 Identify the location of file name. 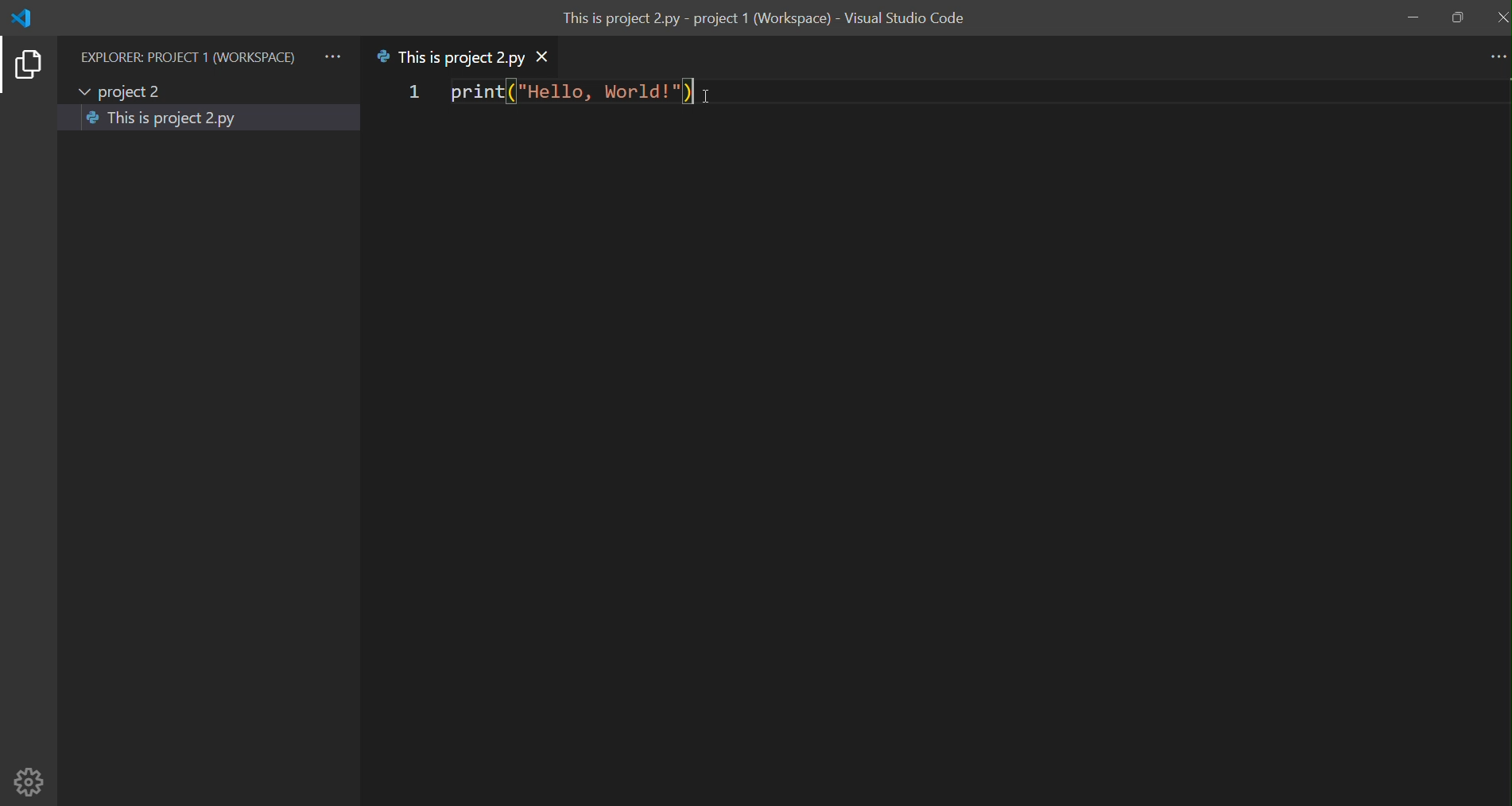
(449, 56).